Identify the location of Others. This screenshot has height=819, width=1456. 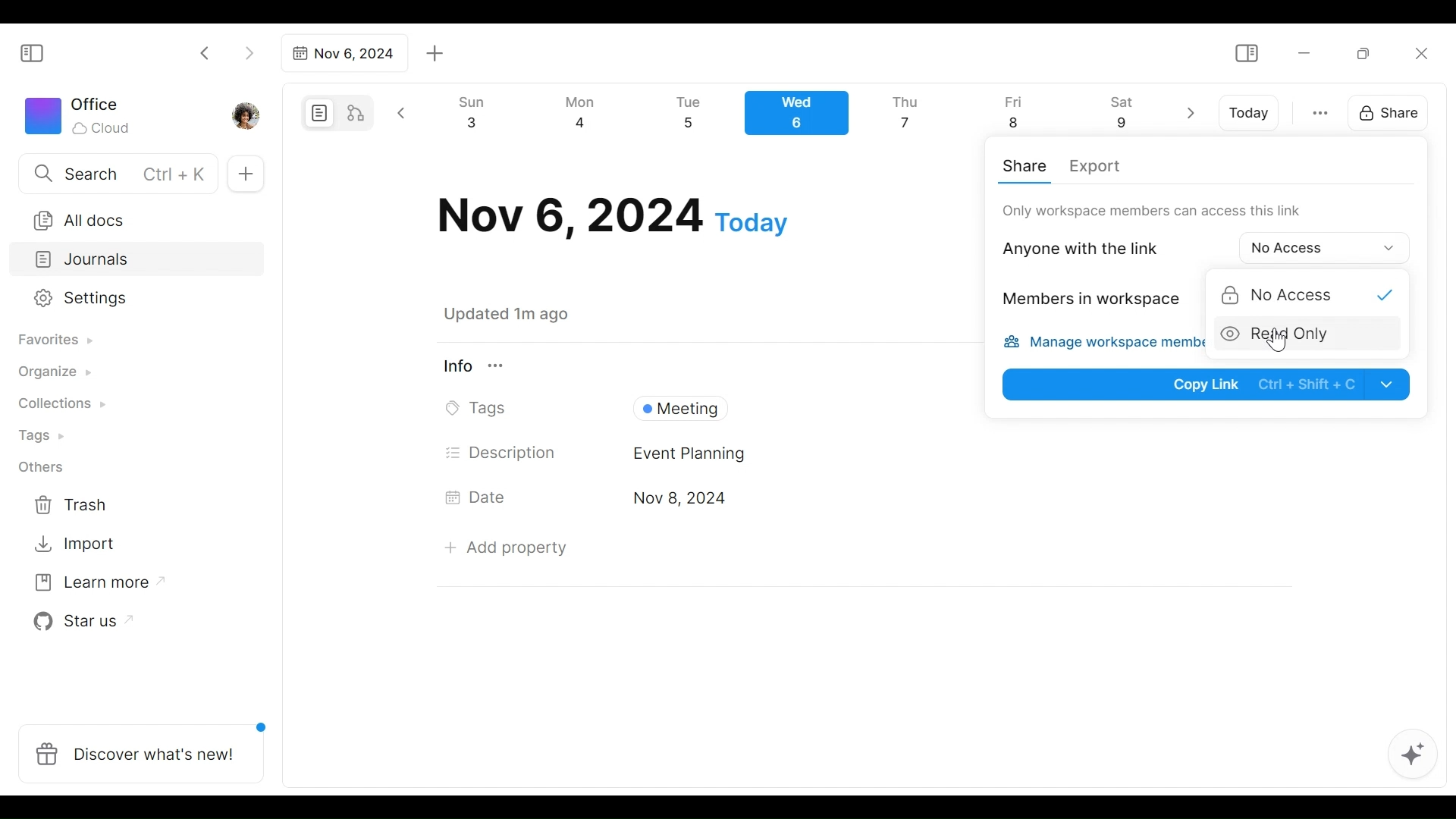
(42, 467).